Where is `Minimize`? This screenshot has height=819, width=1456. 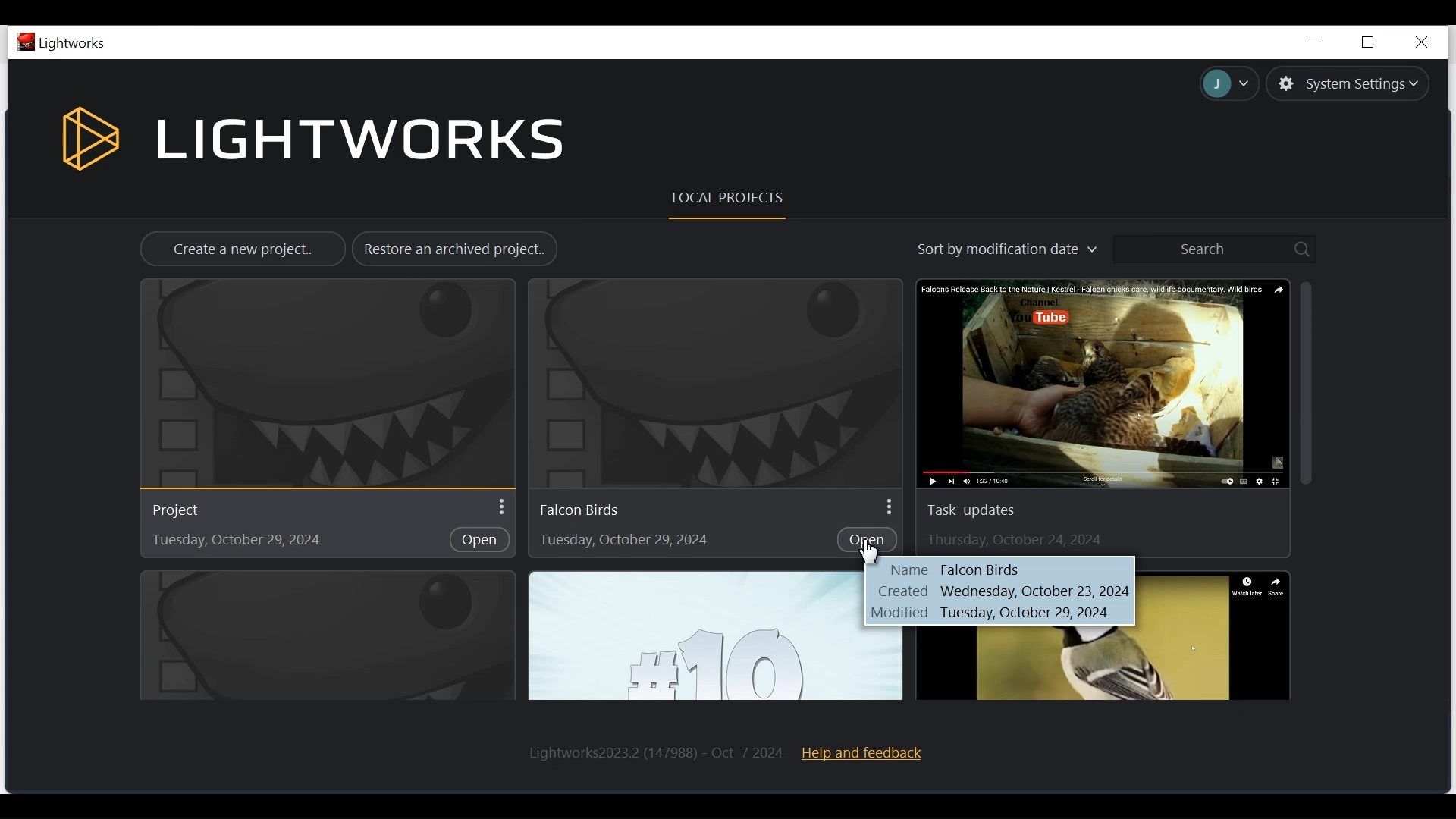 Minimize is located at coordinates (1313, 42).